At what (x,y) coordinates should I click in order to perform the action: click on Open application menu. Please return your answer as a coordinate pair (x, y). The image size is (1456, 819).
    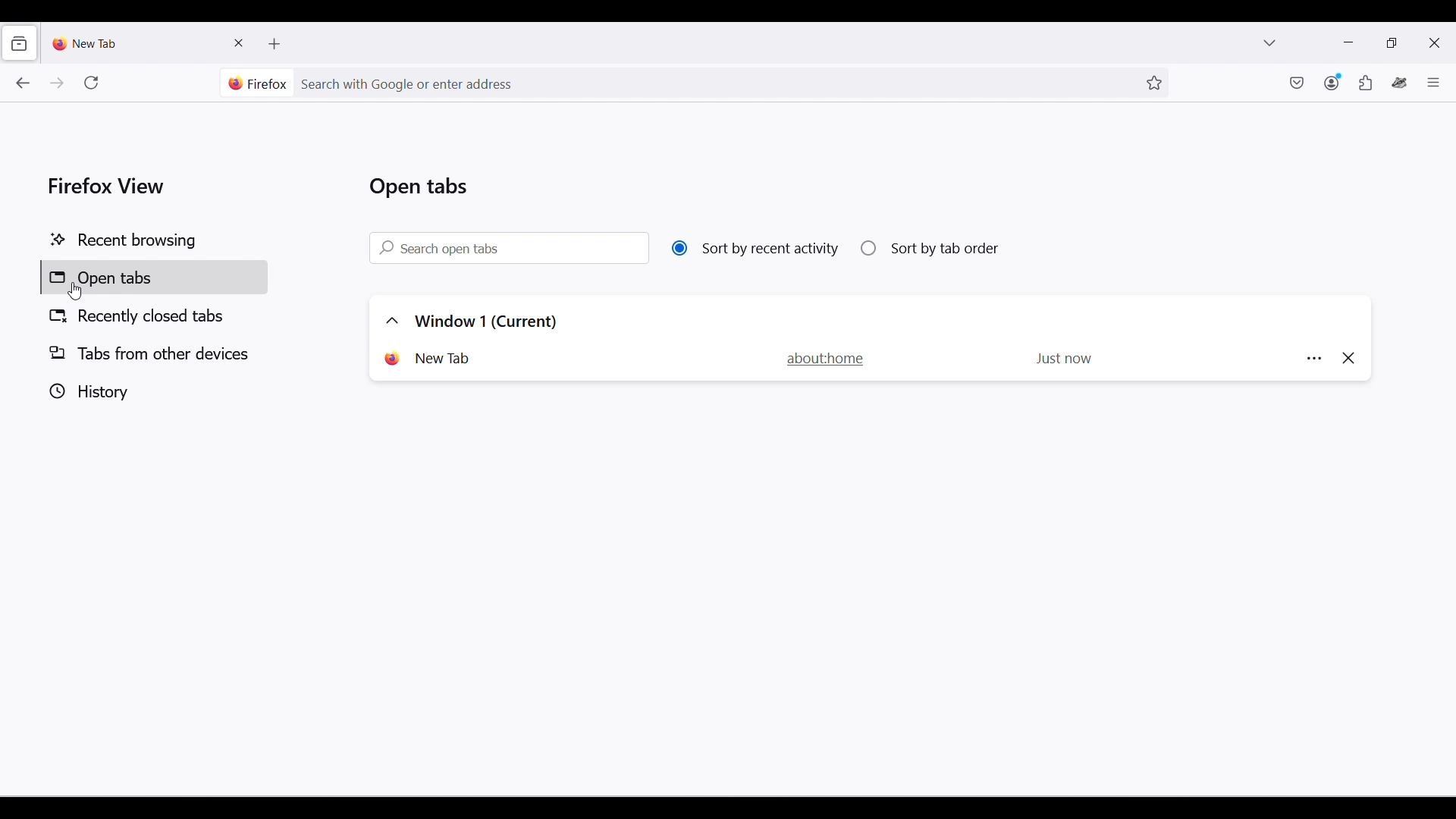
    Looking at the image, I should click on (1433, 82).